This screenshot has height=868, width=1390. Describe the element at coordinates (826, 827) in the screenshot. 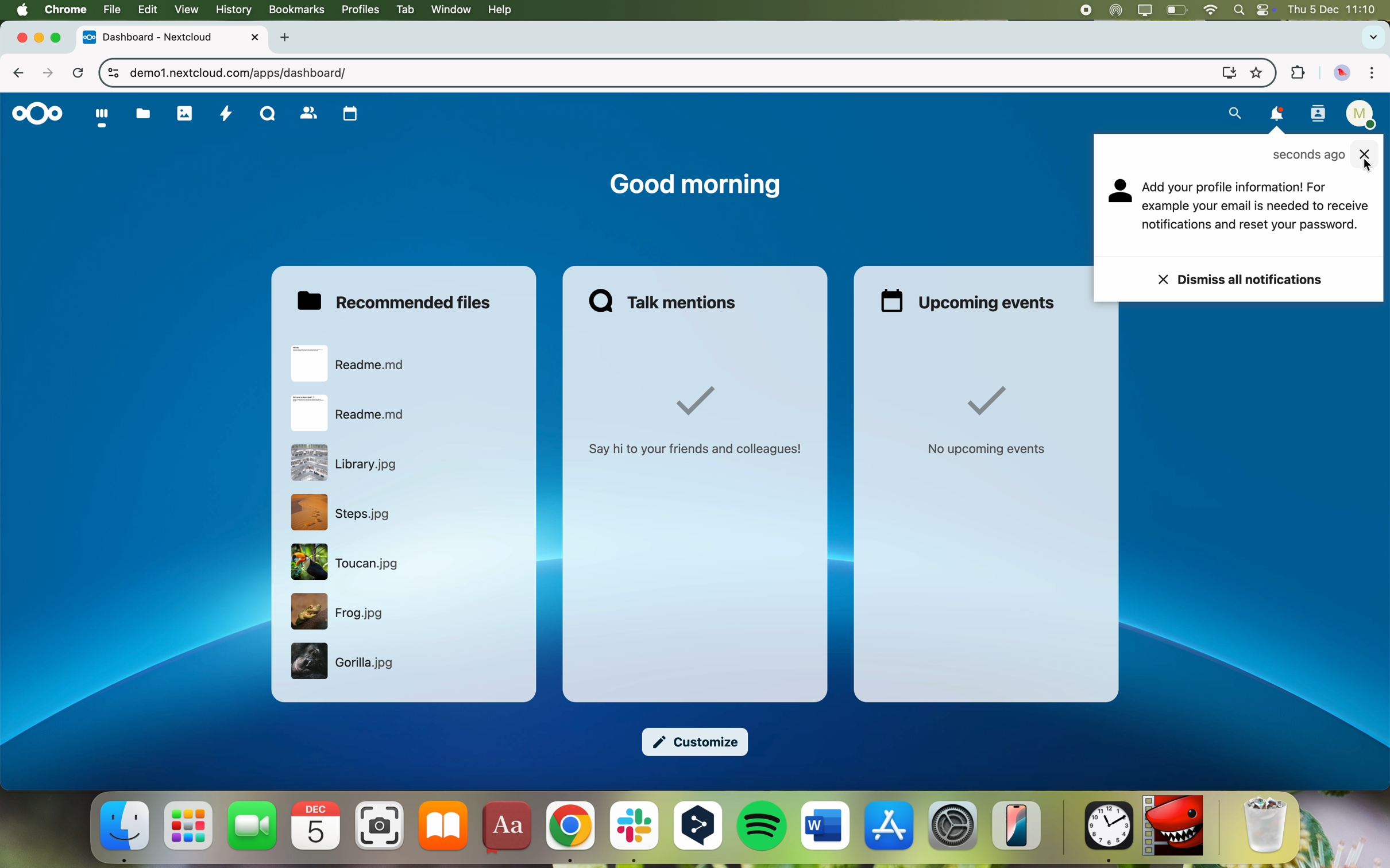

I see `Word` at that location.